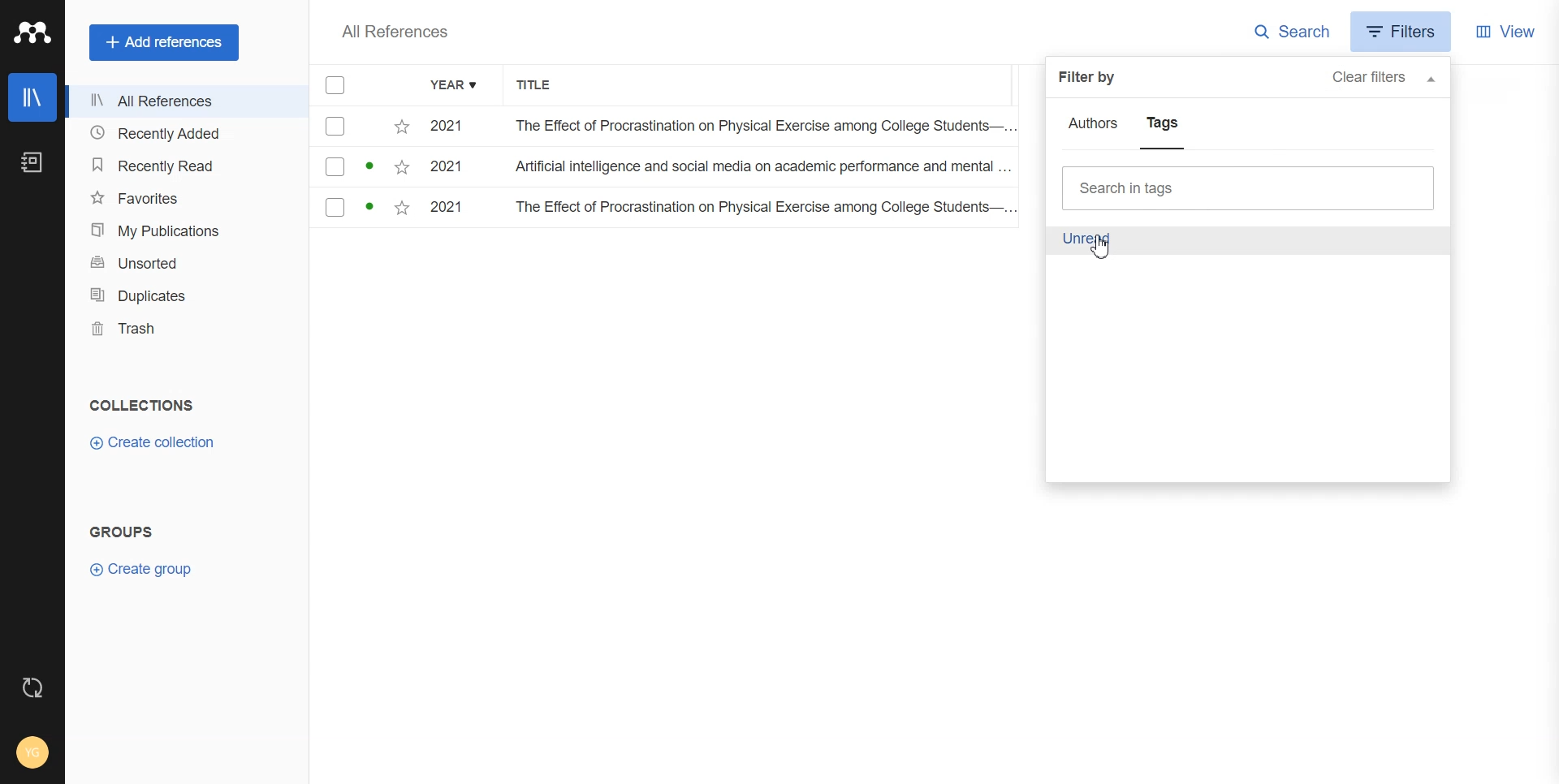 The height and width of the screenshot is (784, 1559). Describe the element at coordinates (1162, 127) in the screenshot. I see `Tags` at that location.